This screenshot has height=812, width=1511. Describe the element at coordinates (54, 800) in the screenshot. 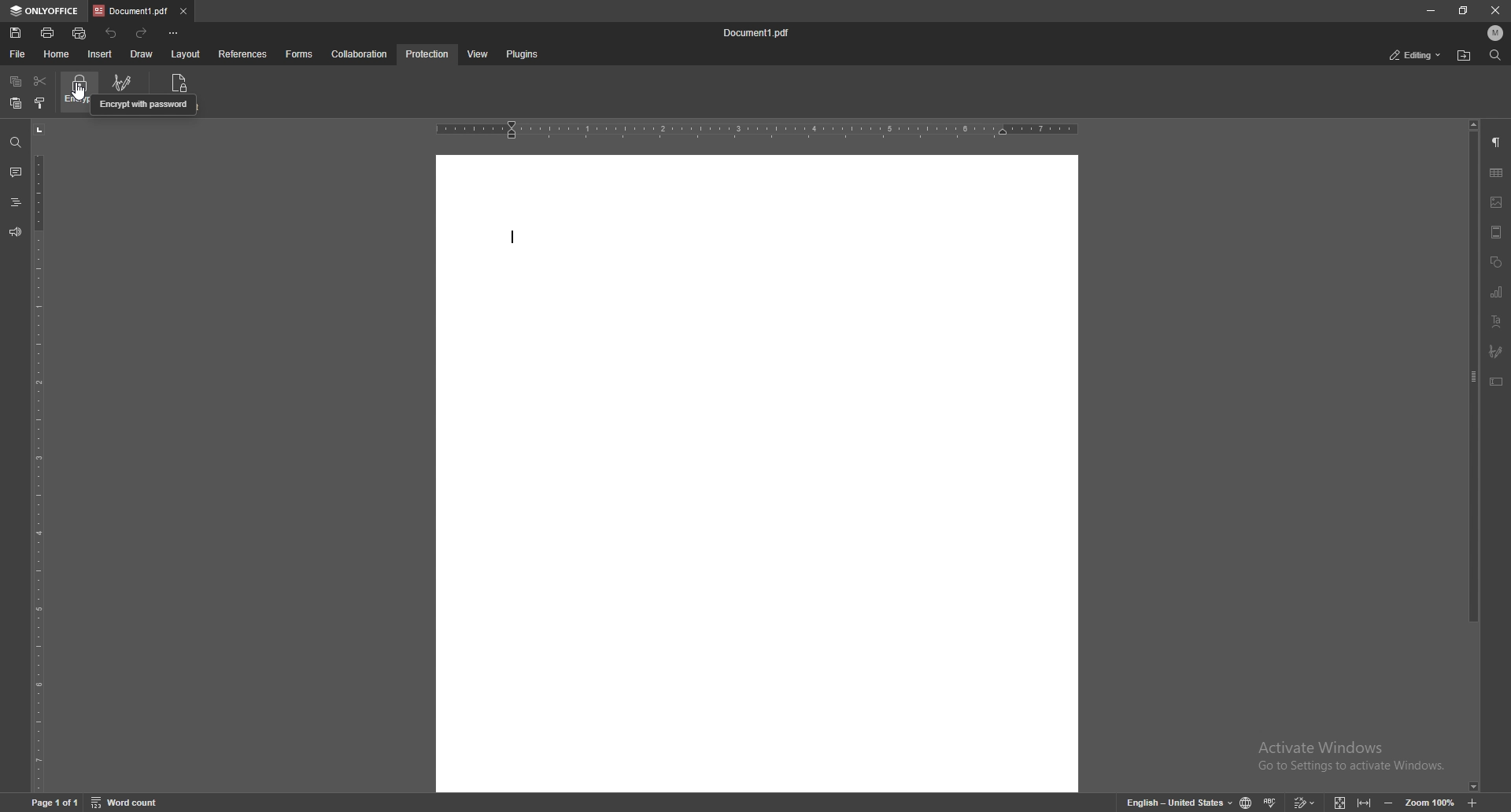

I see `page` at that location.